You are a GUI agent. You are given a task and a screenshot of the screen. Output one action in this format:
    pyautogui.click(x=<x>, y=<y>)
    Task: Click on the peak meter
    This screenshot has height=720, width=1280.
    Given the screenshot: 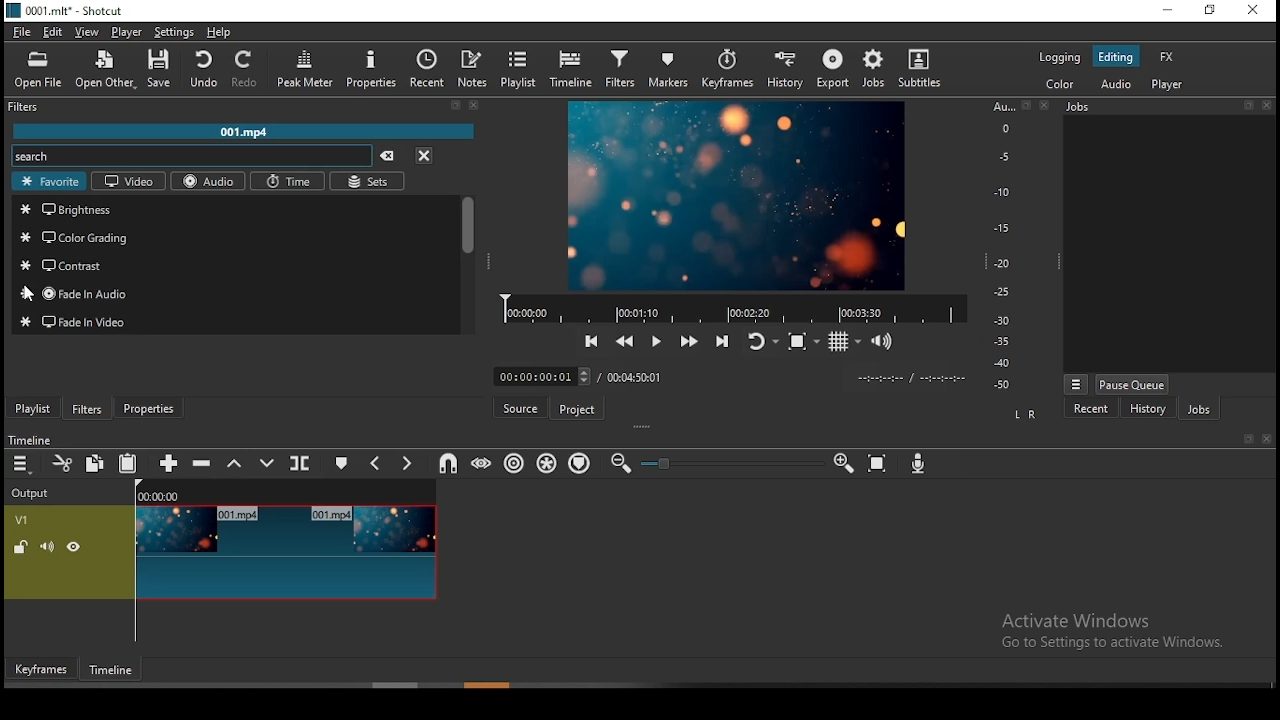 What is the action you would take?
    pyautogui.click(x=304, y=70)
    